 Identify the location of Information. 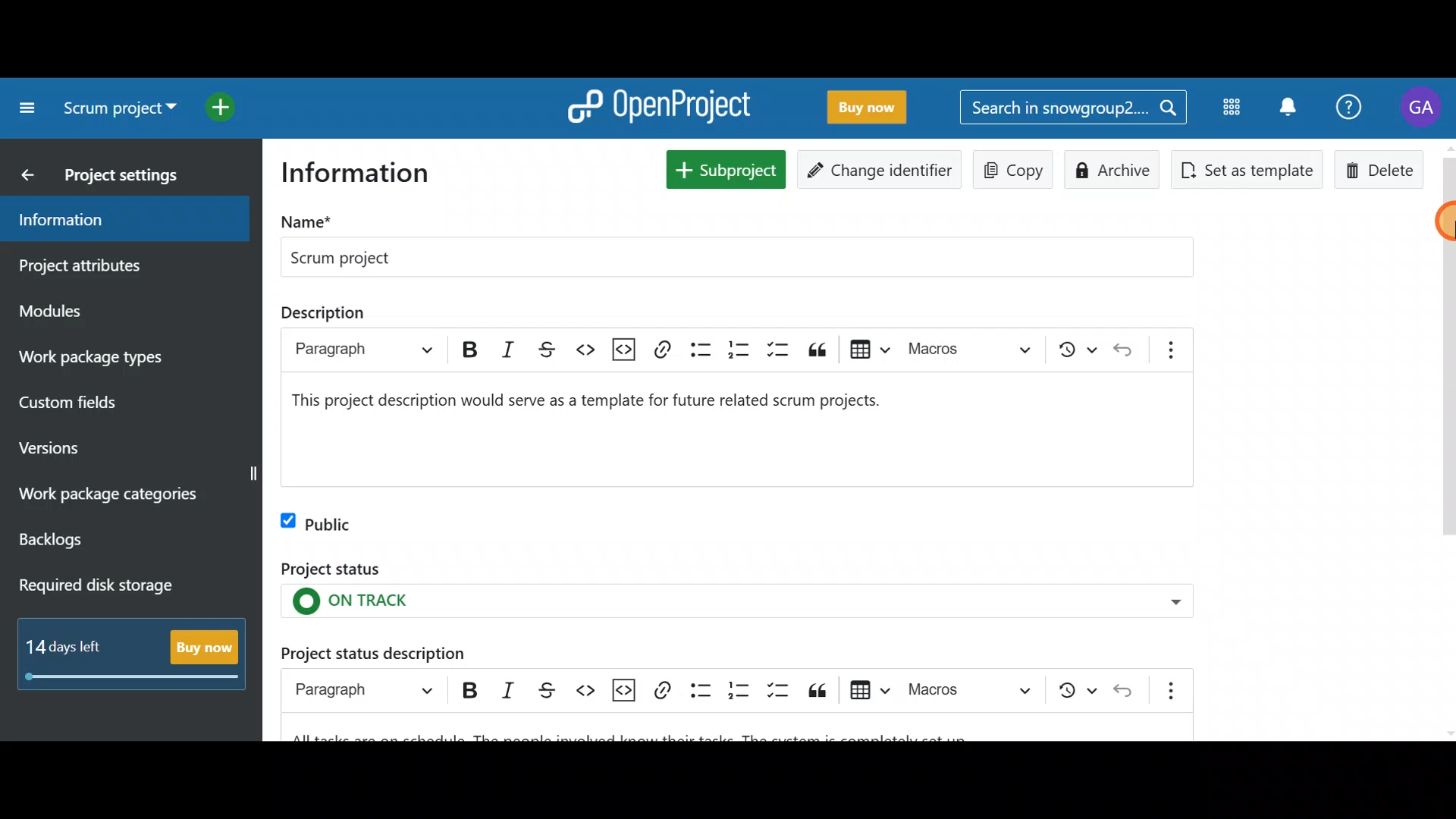
(118, 219).